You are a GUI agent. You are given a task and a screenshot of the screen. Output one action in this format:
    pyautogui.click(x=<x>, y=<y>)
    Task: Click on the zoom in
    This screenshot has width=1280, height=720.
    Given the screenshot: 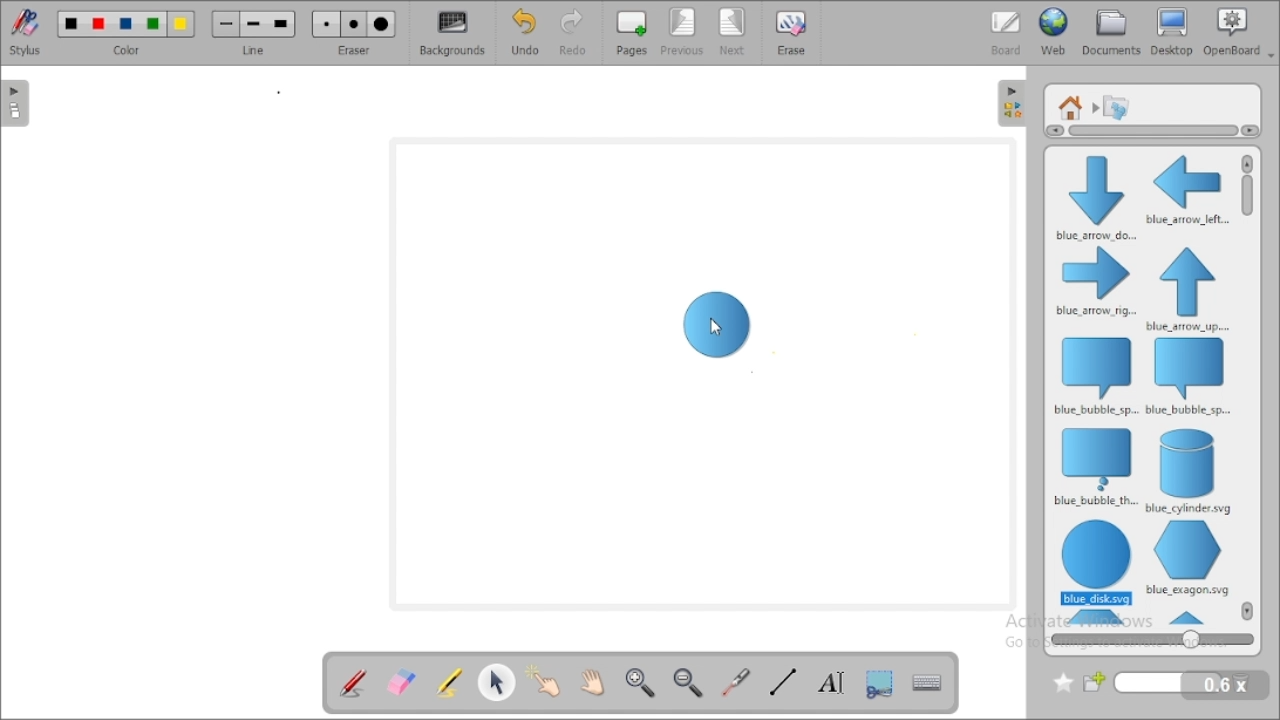 What is the action you would take?
    pyautogui.click(x=641, y=683)
    